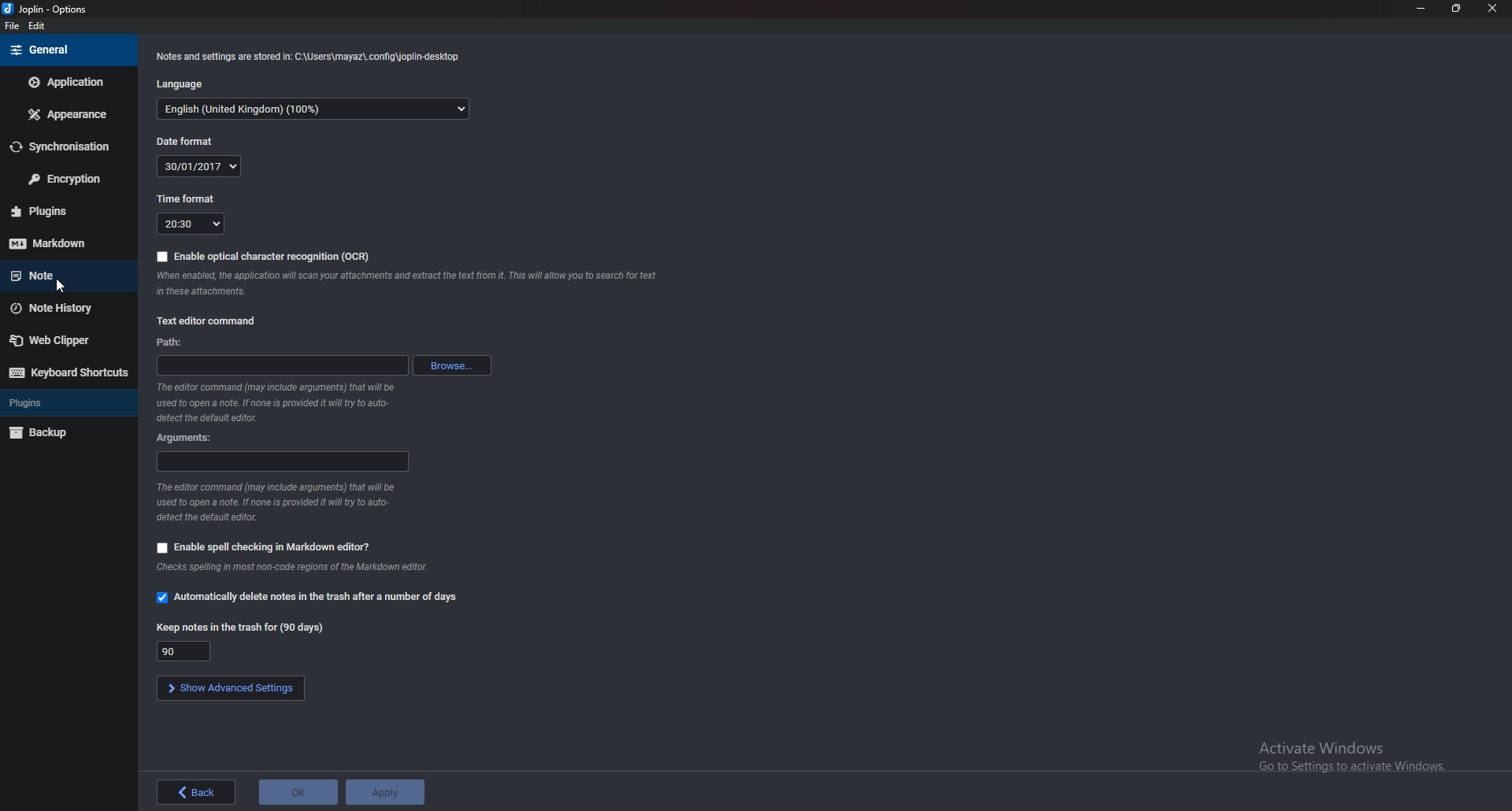  I want to click on options, so click(50, 10).